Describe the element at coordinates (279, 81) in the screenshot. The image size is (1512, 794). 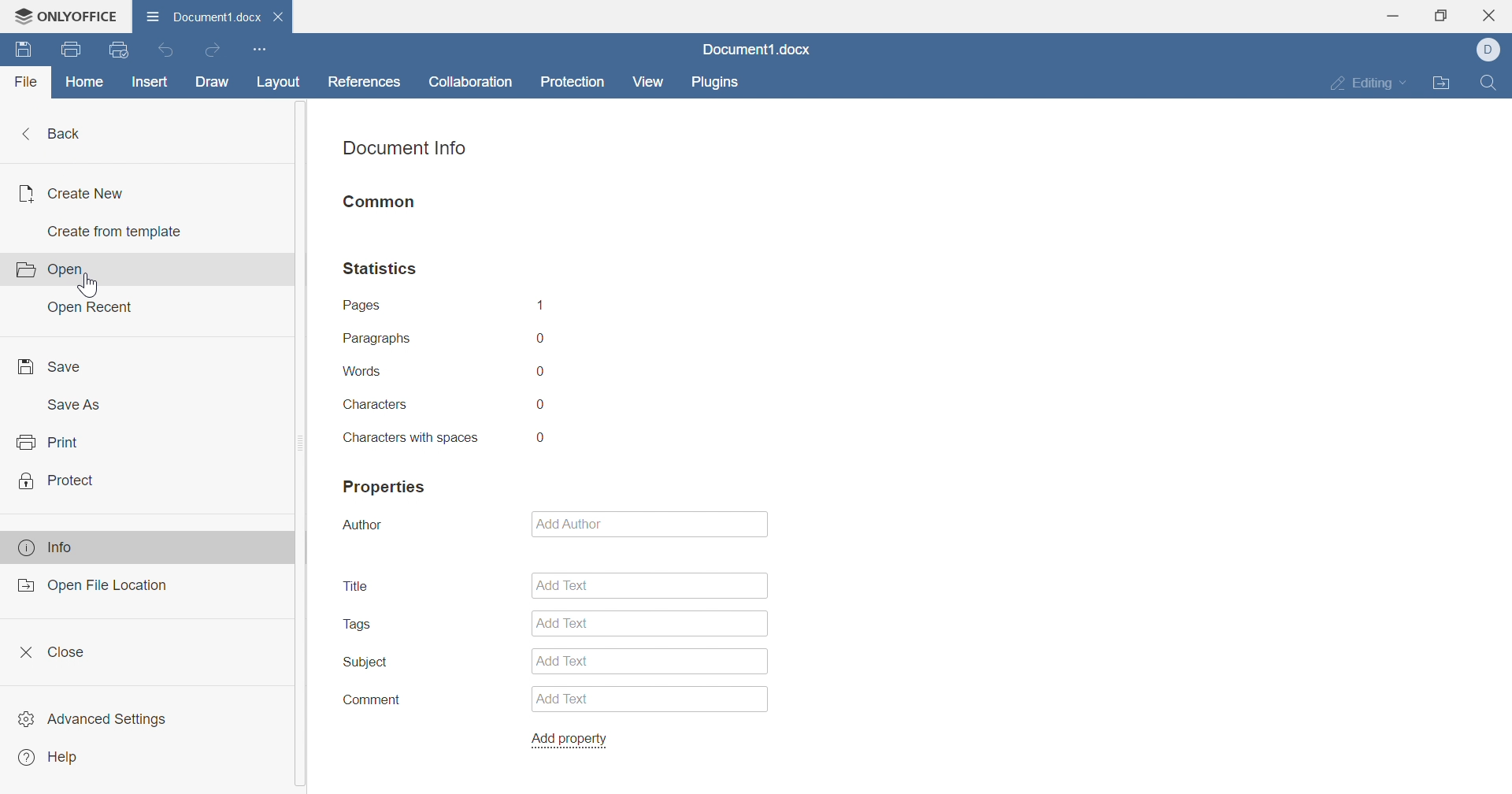
I see `layout` at that location.